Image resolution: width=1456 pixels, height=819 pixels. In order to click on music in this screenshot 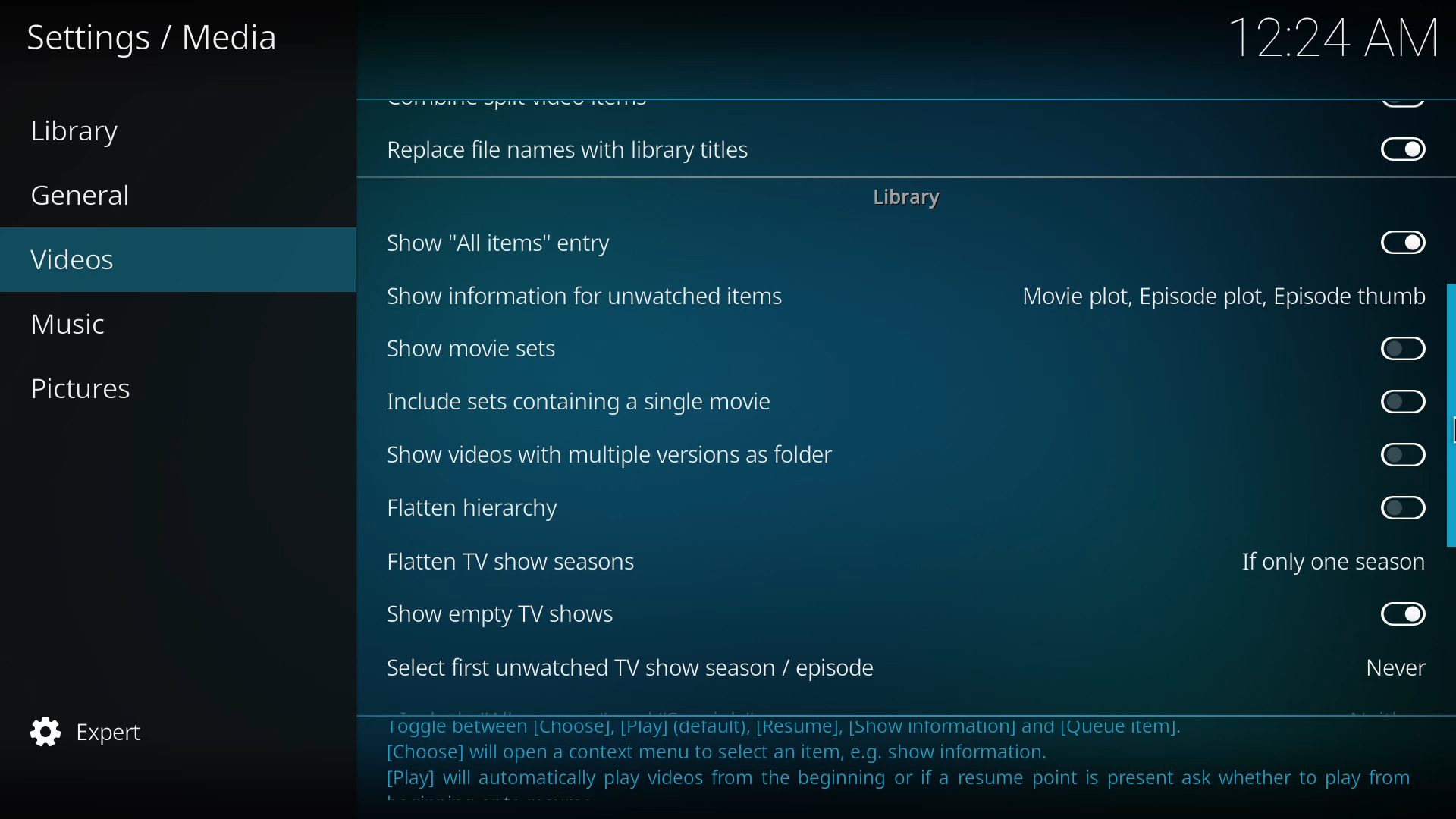, I will do `click(89, 323)`.